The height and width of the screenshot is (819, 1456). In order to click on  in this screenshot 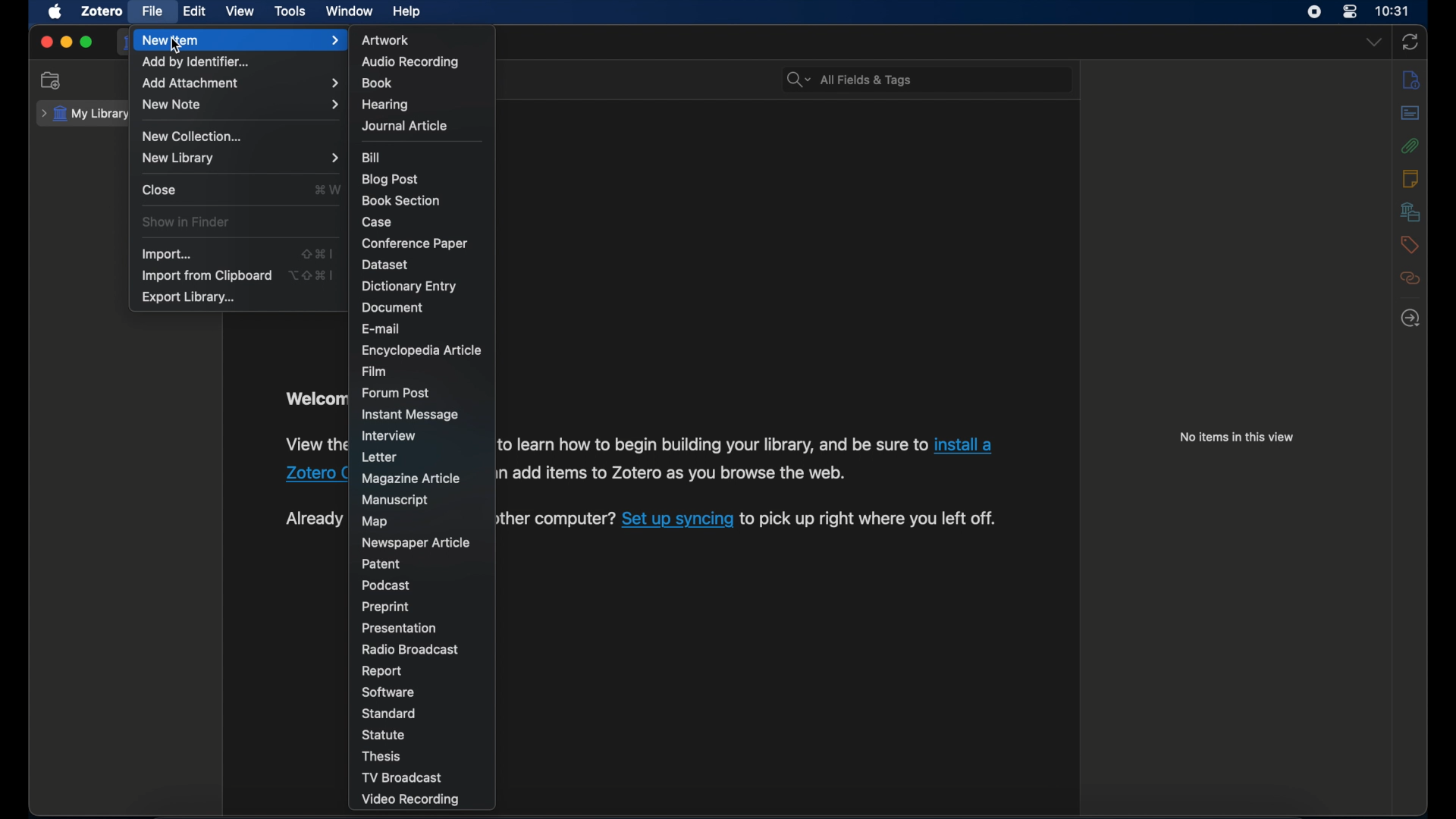, I will do `click(553, 519)`.